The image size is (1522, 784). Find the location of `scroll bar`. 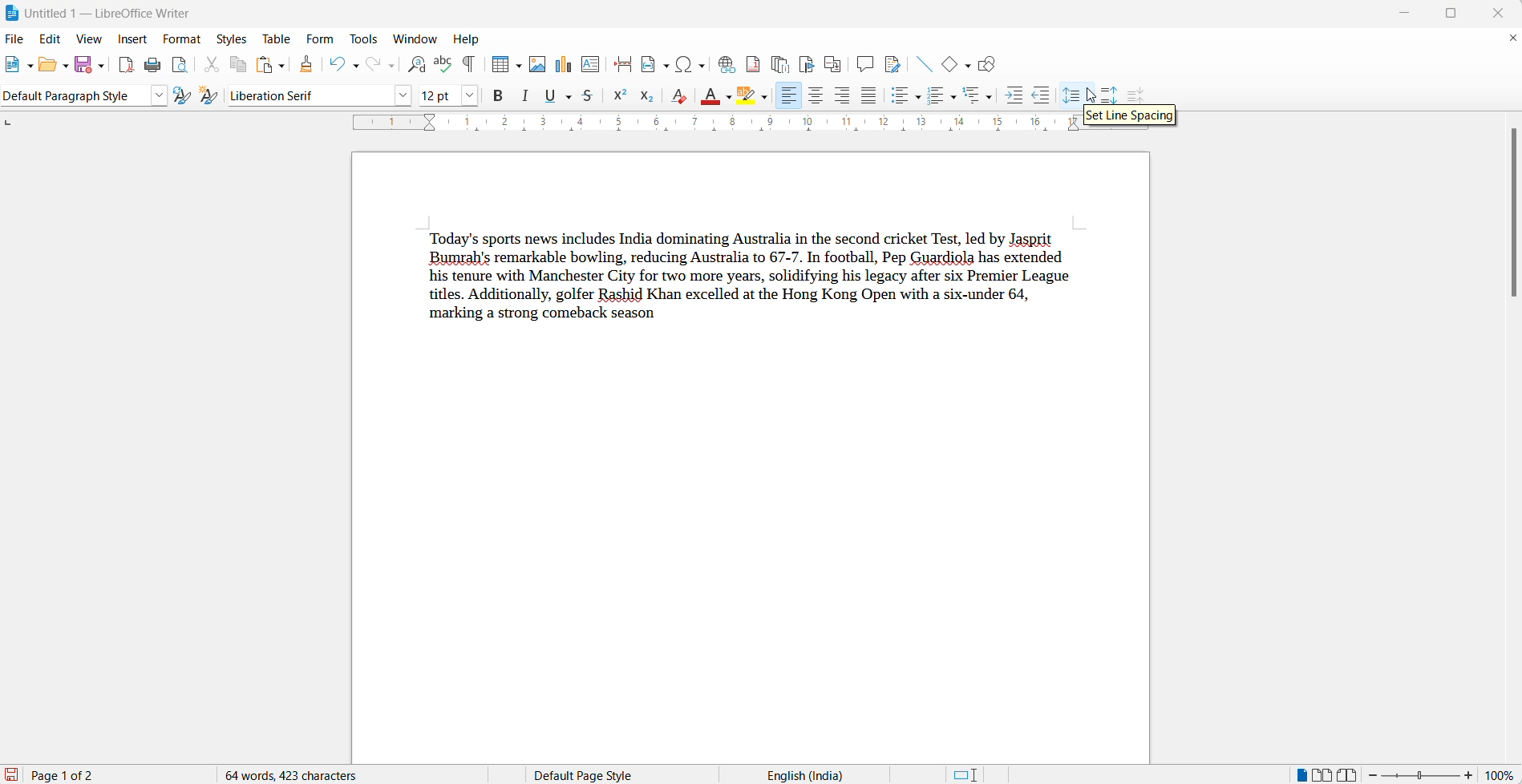

scroll bar is located at coordinates (1506, 216).